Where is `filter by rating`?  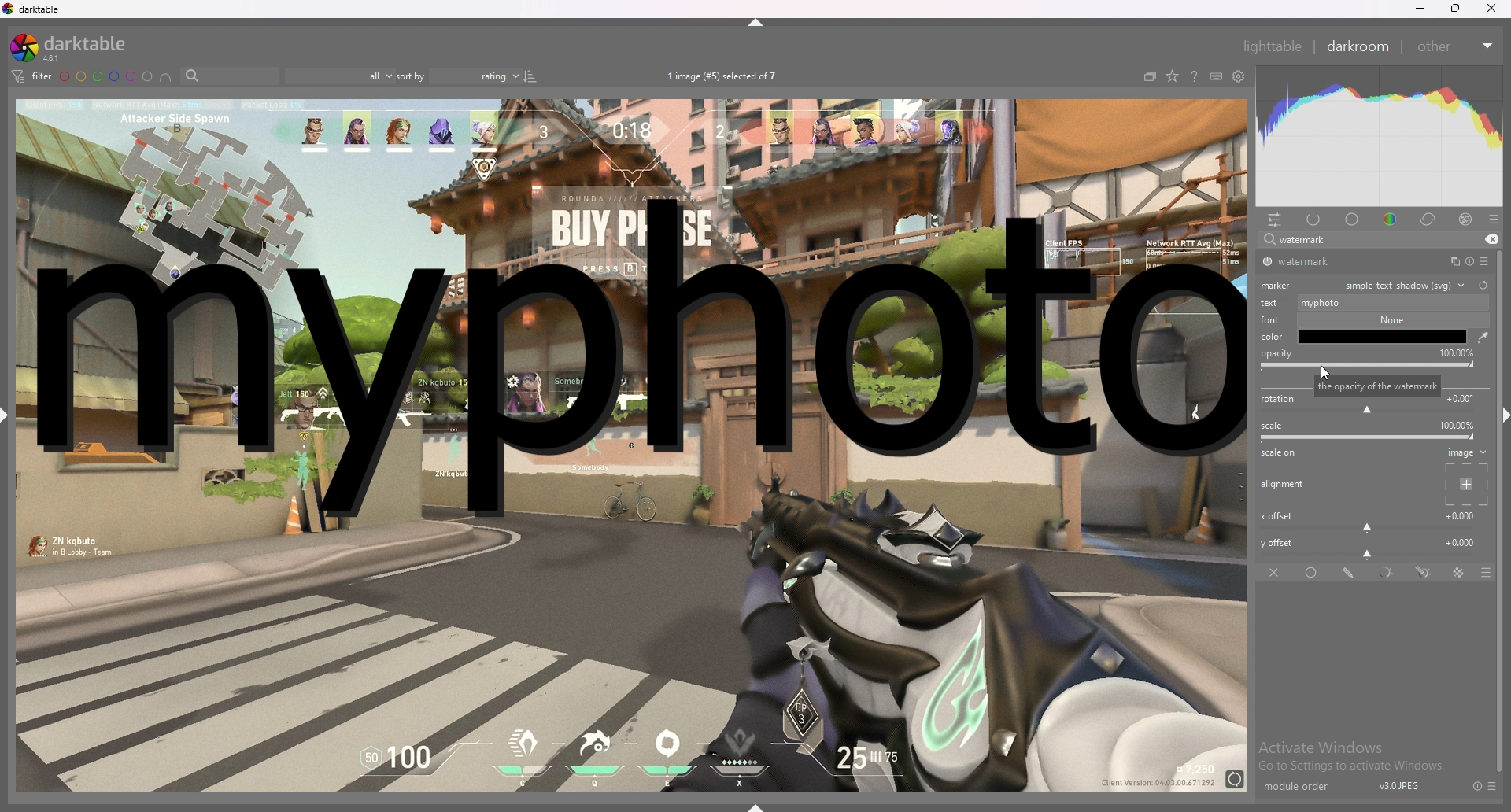 filter by rating is located at coordinates (338, 76).